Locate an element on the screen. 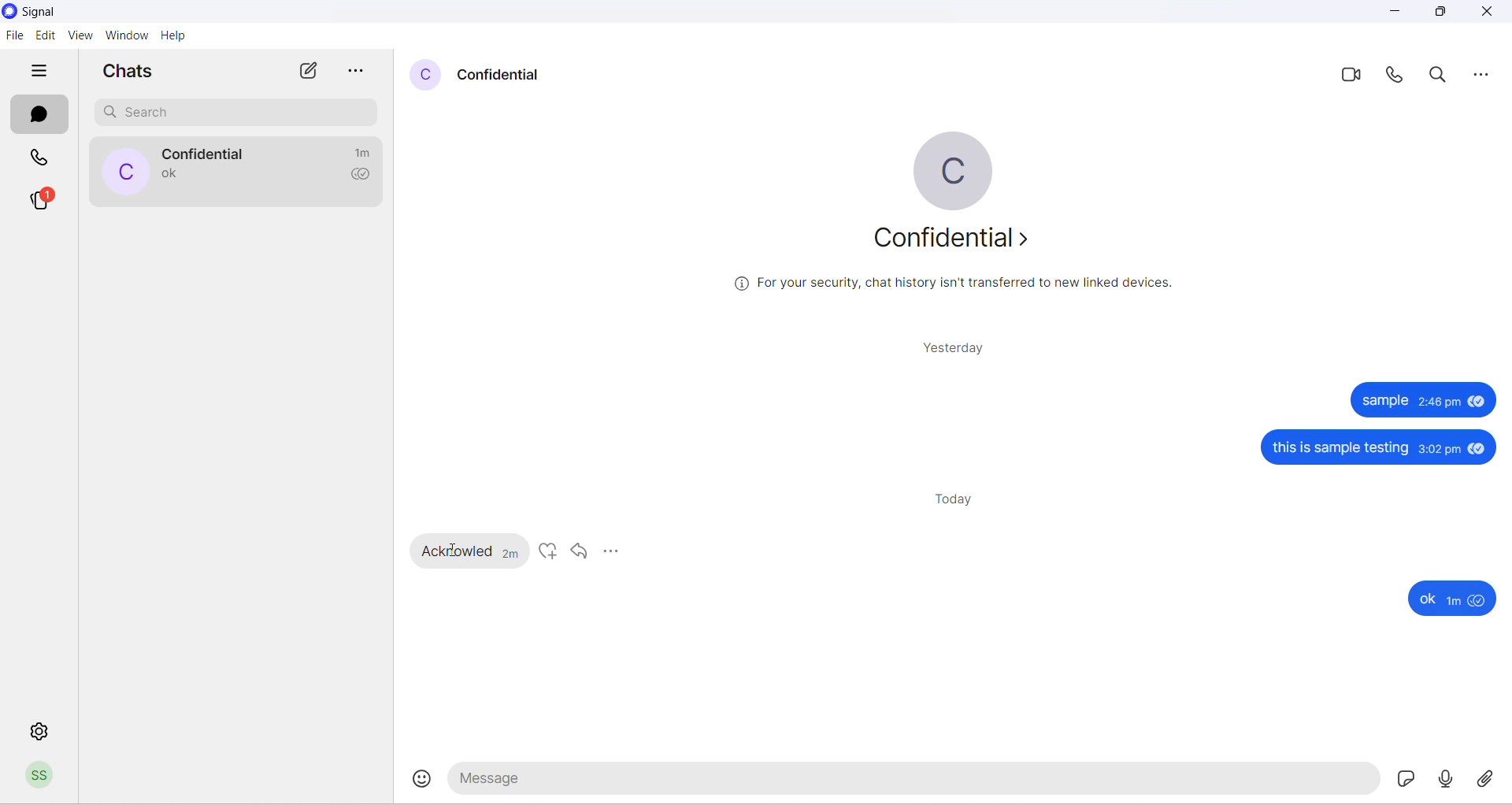  like is located at coordinates (550, 554).